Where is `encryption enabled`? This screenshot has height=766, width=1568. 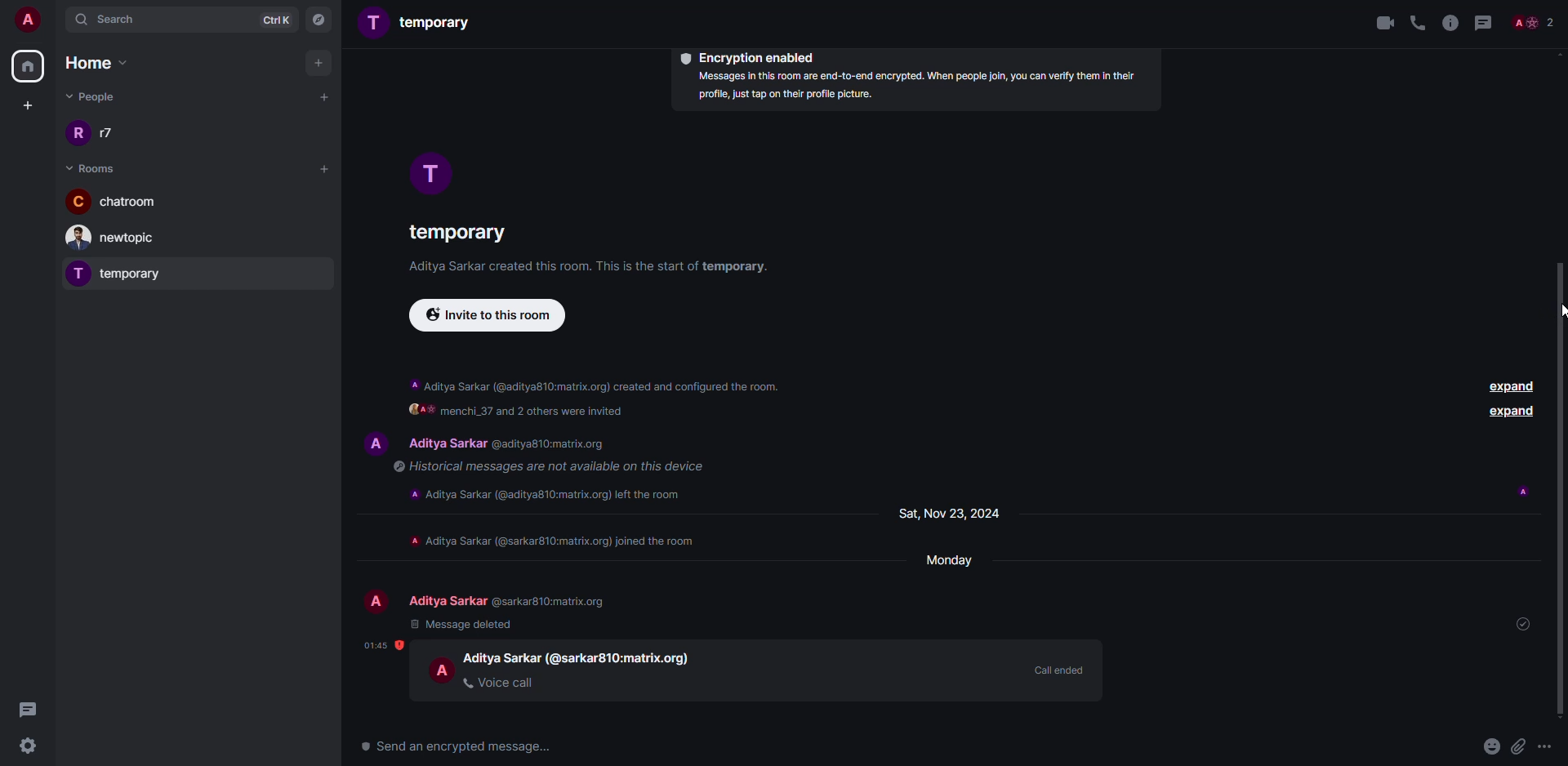
encryption enabled is located at coordinates (751, 56).